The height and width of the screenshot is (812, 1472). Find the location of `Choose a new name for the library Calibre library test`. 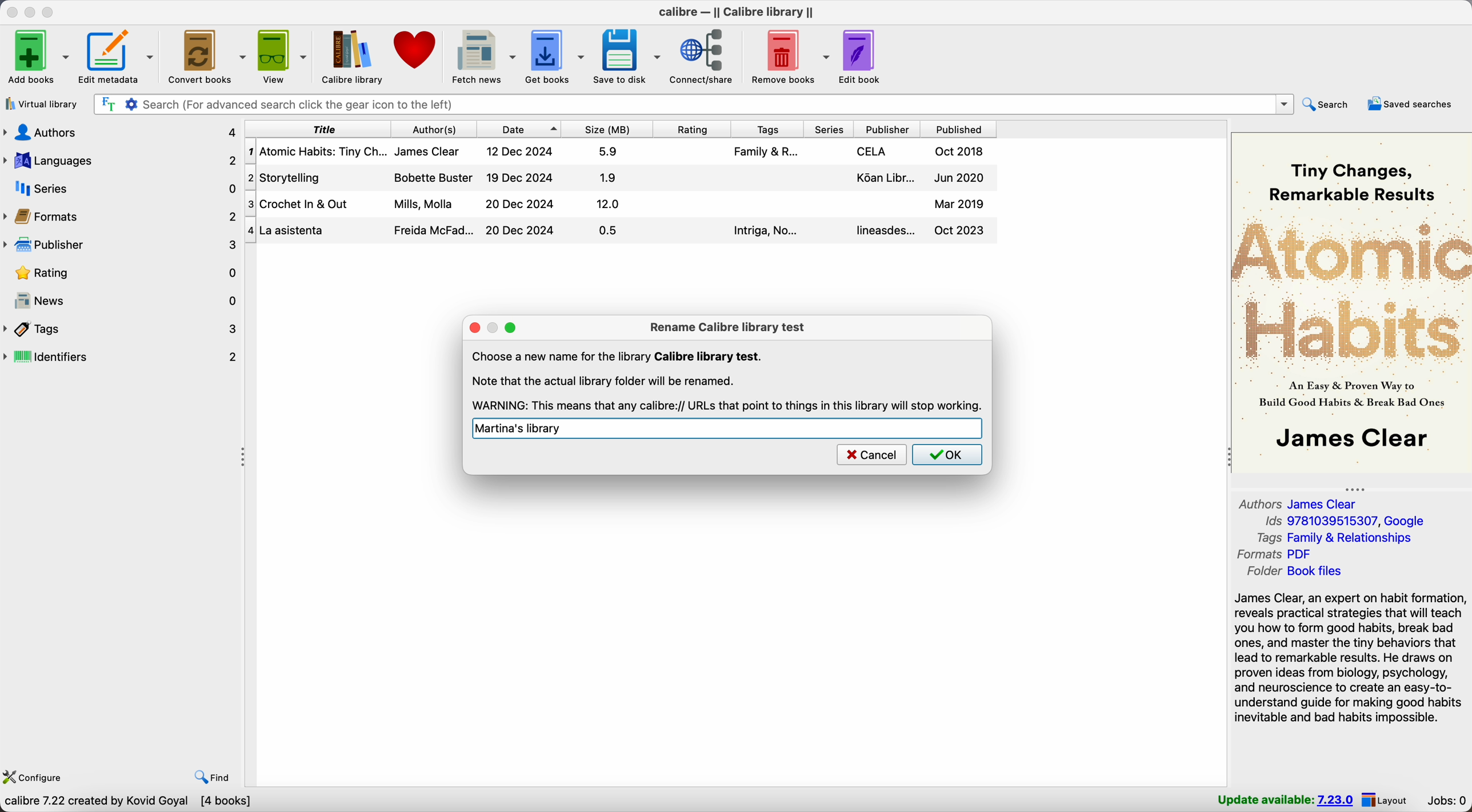

Choose a new name for the library Calibre library test is located at coordinates (617, 357).